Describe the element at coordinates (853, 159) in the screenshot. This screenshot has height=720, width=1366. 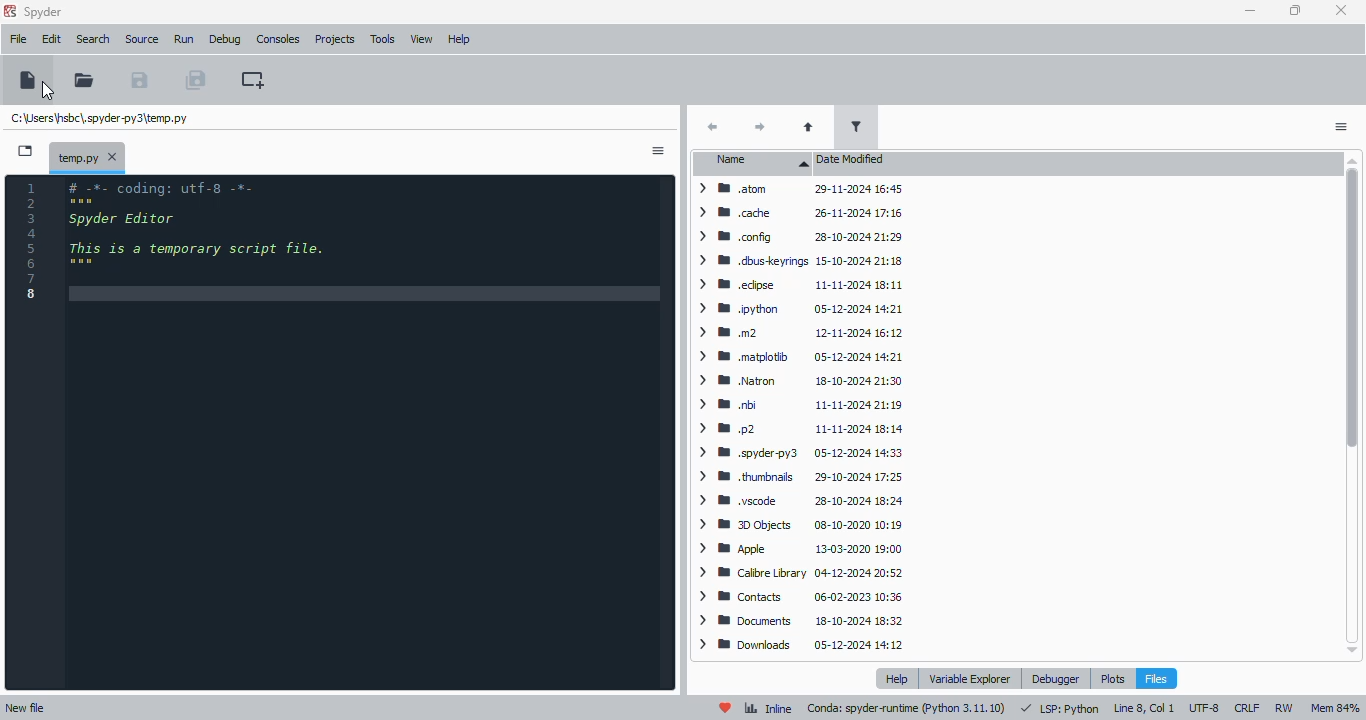
I see `date modified` at that location.